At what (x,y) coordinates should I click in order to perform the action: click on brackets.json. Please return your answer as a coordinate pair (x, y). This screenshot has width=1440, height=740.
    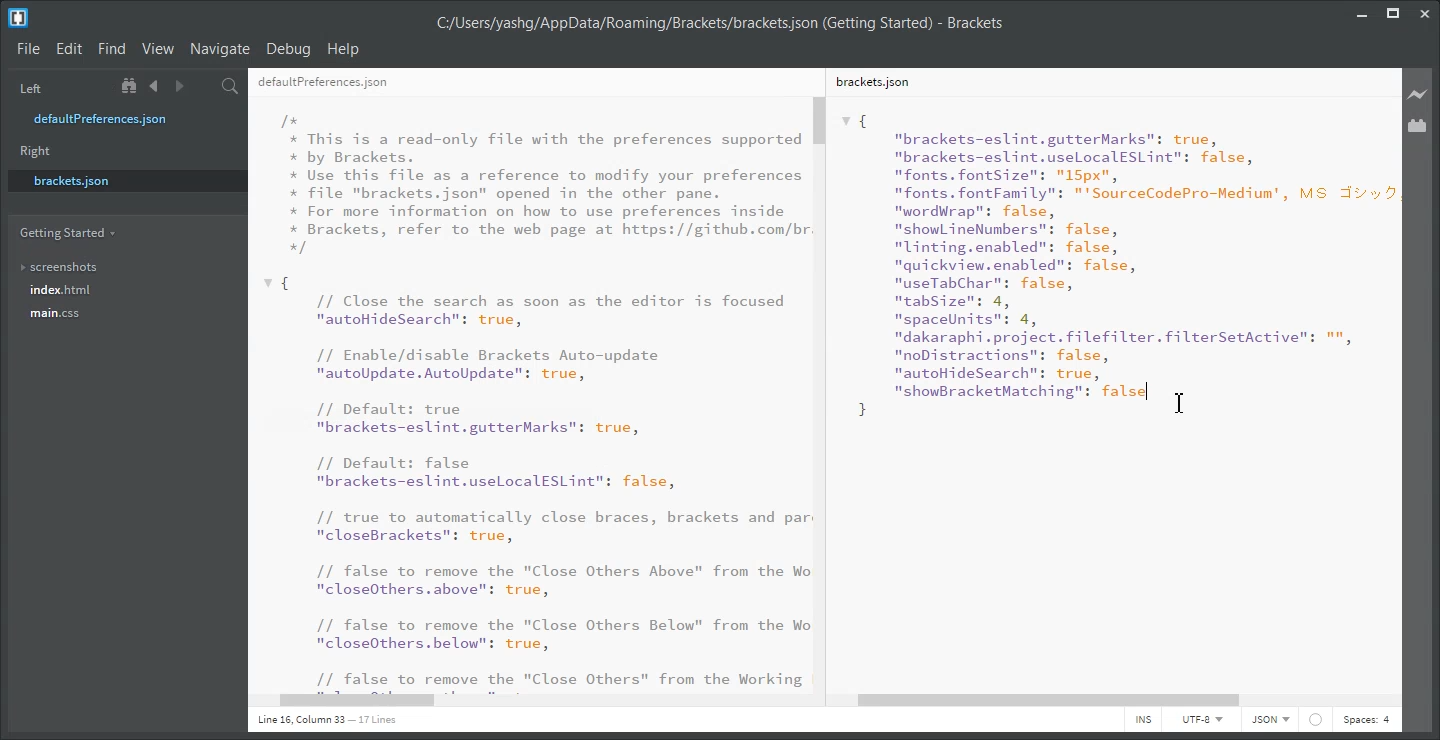
    Looking at the image, I should click on (125, 180).